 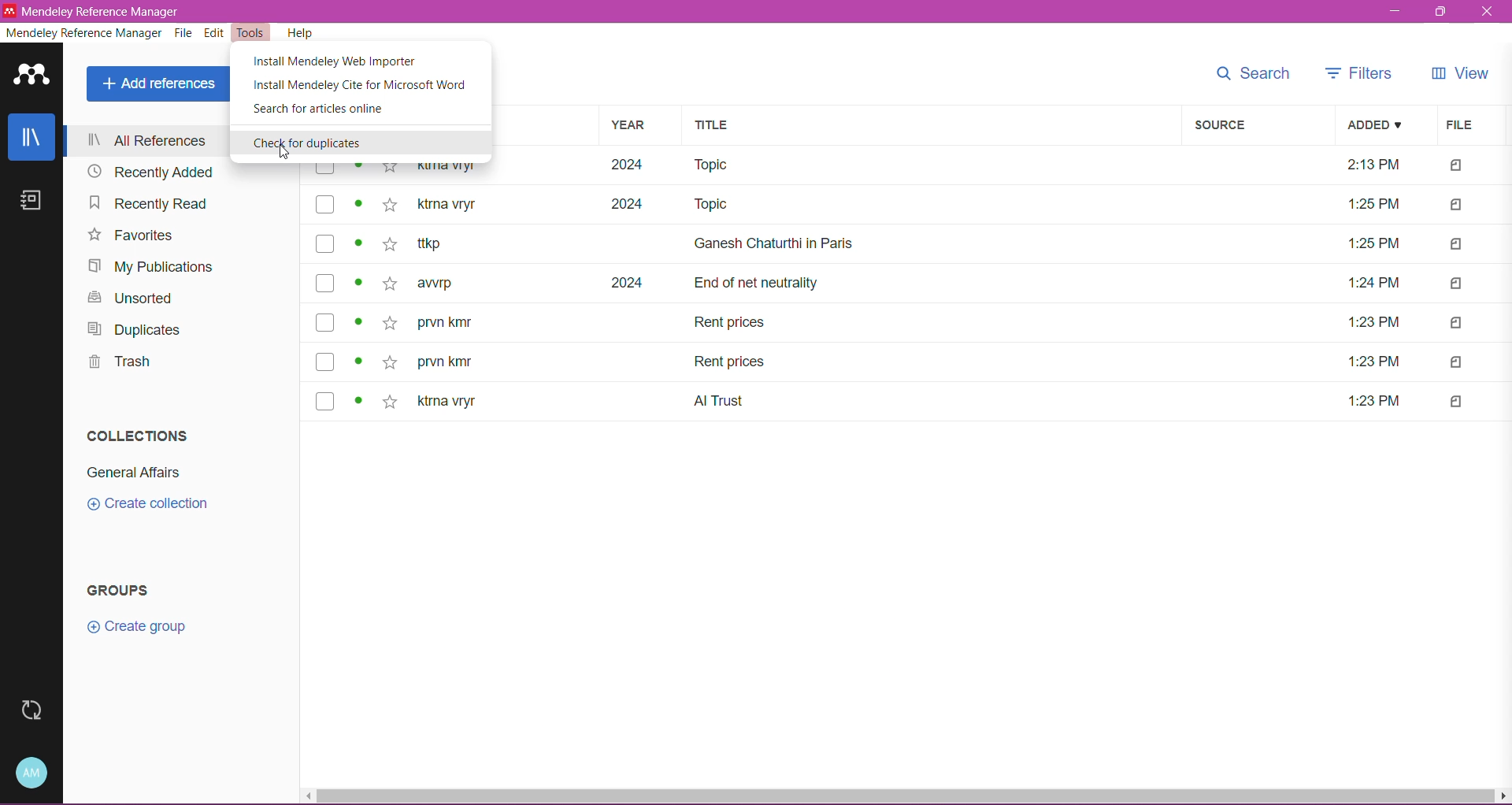 I want to click on Search for articles online, so click(x=324, y=111).